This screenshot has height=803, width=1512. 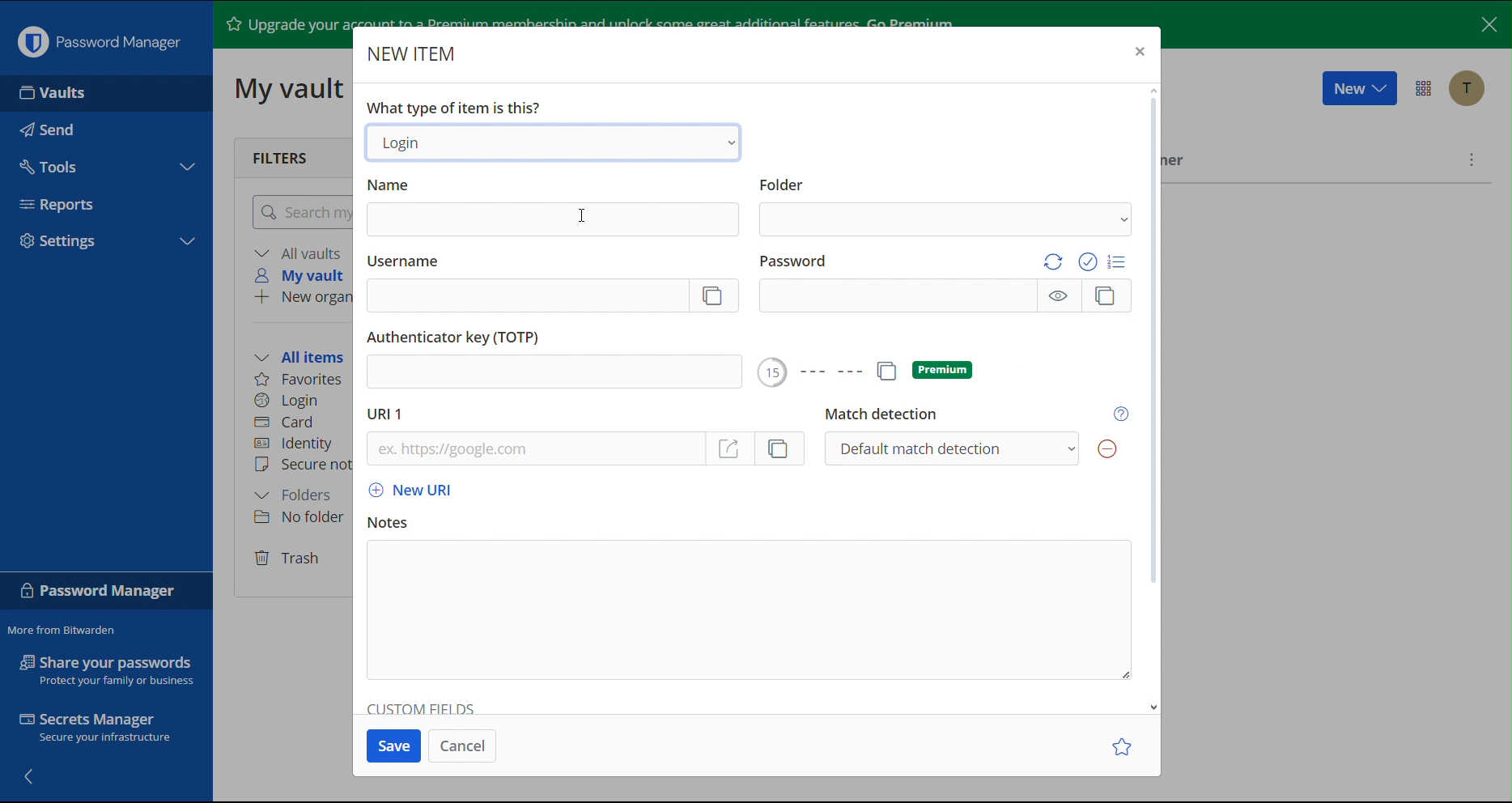 I want to click on URL 1, so click(x=386, y=414).